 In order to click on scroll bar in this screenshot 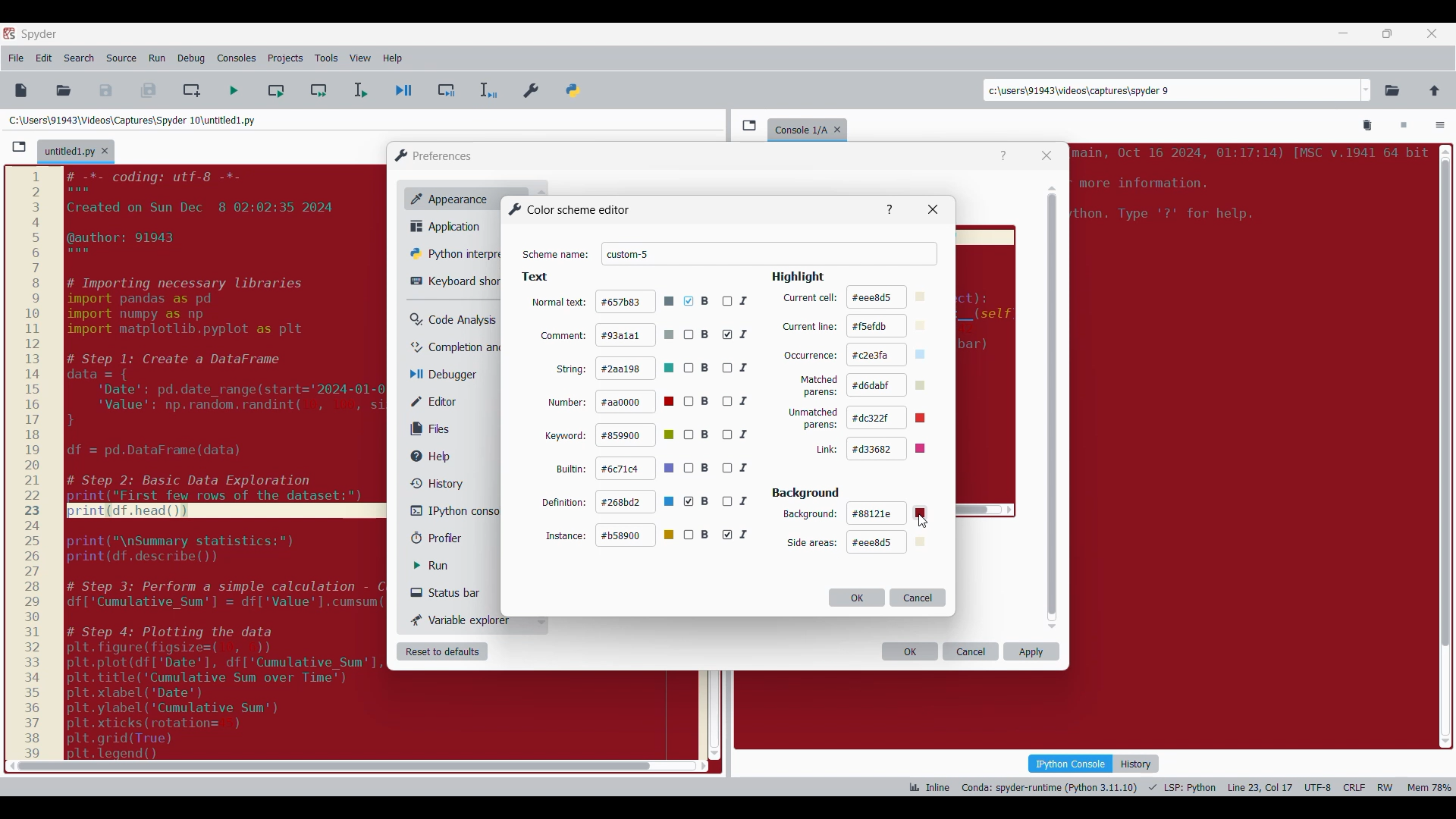, I will do `click(329, 765)`.